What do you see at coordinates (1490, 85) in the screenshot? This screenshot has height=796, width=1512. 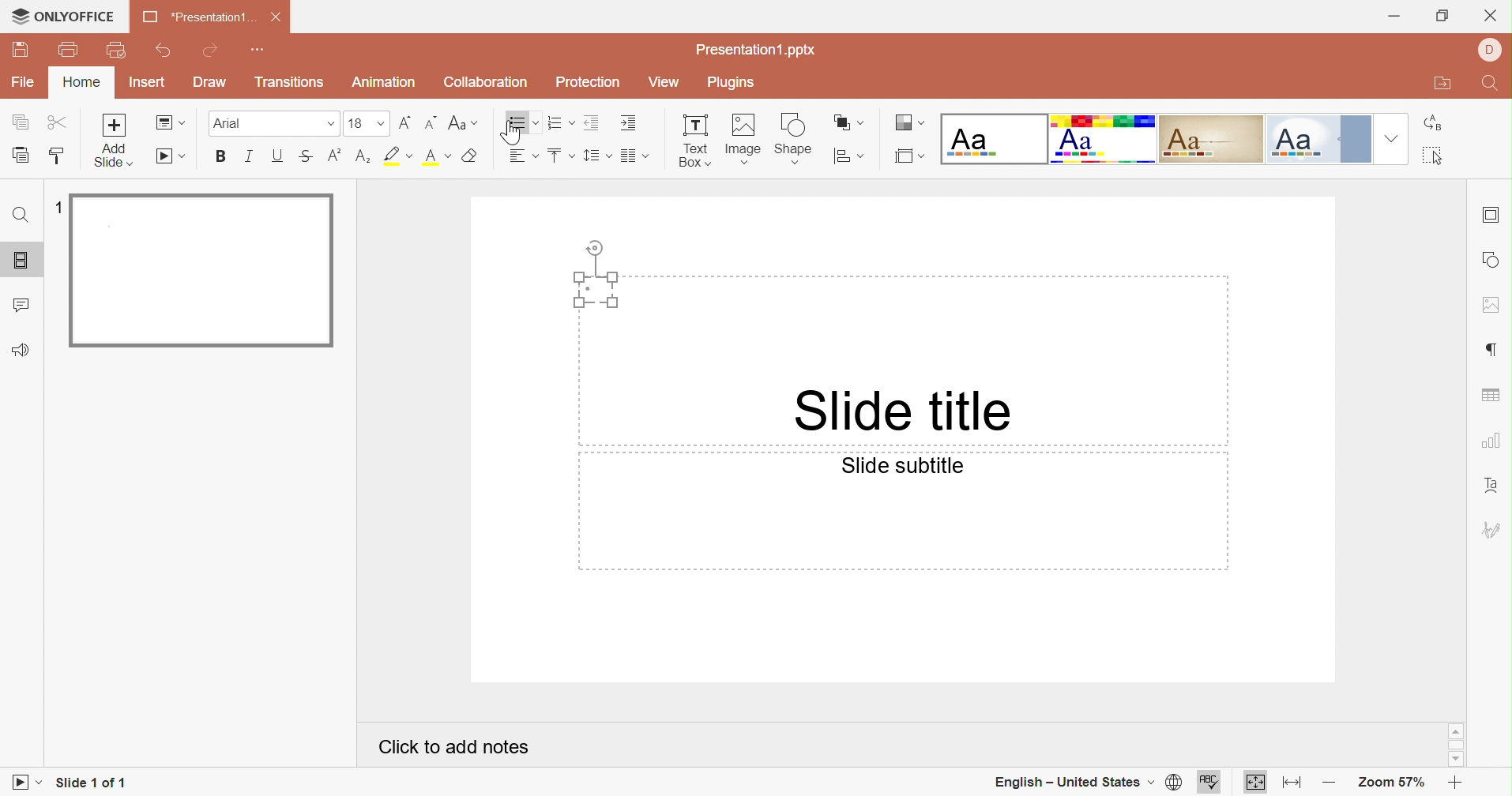 I see `Find` at bounding box center [1490, 85].